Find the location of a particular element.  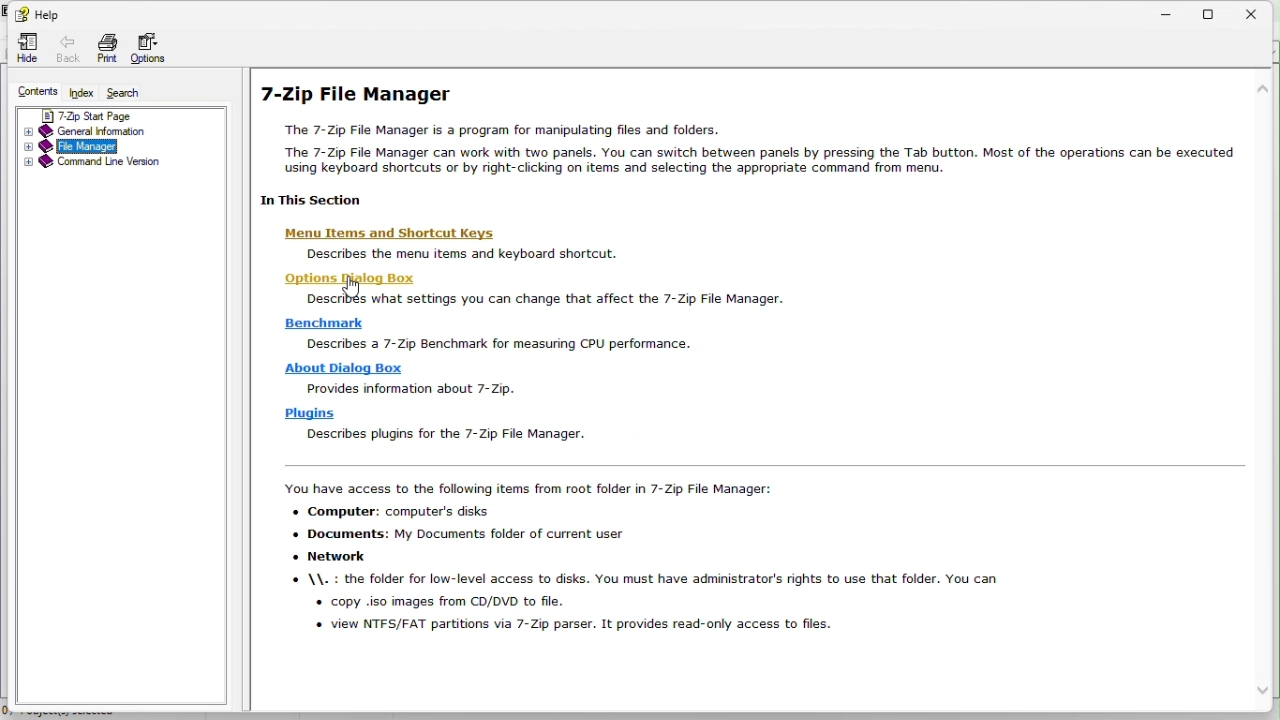

General information is located at coordinates (91, 133).